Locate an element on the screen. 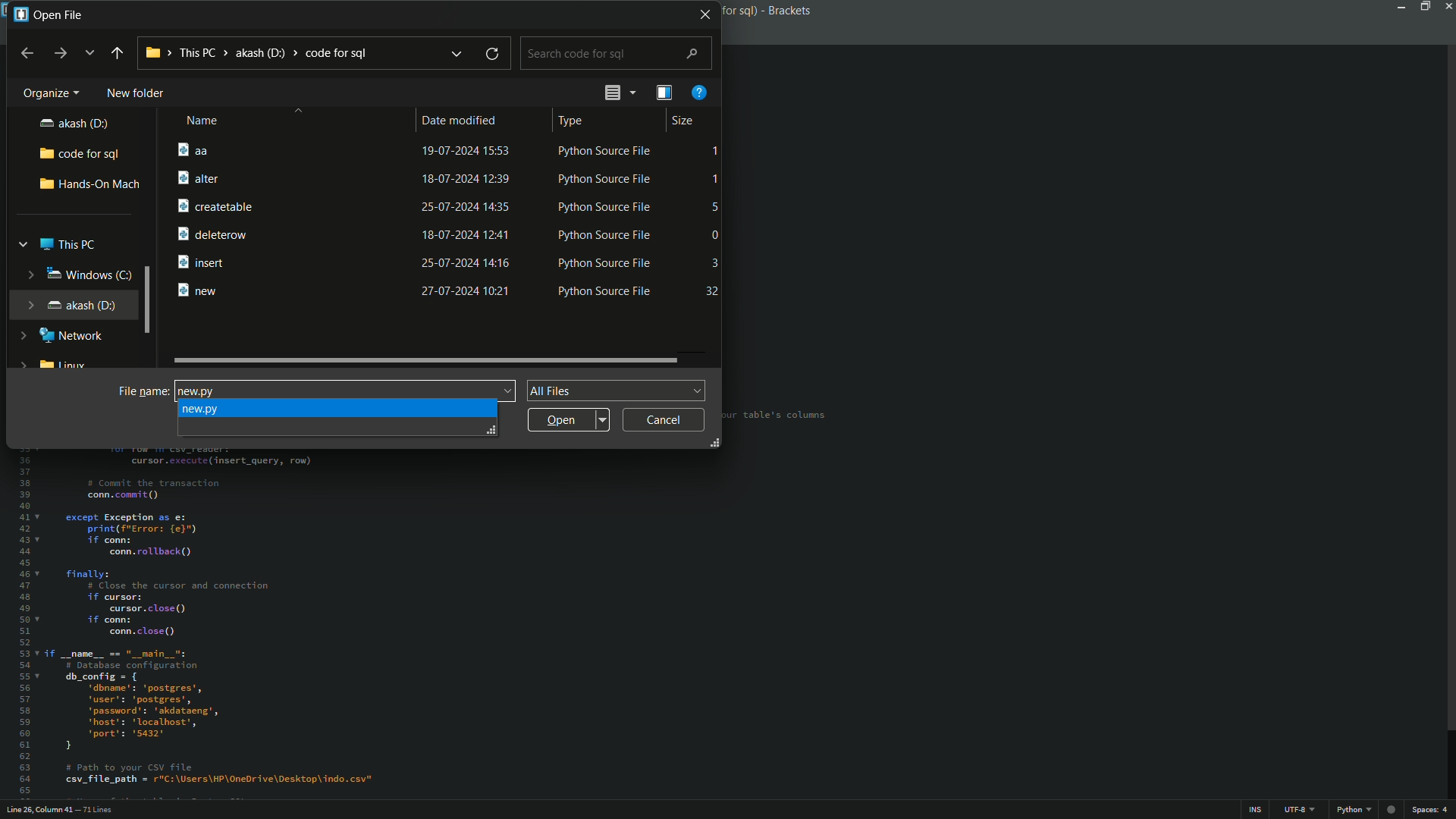  minimize is located at coordinates (1401, 6).